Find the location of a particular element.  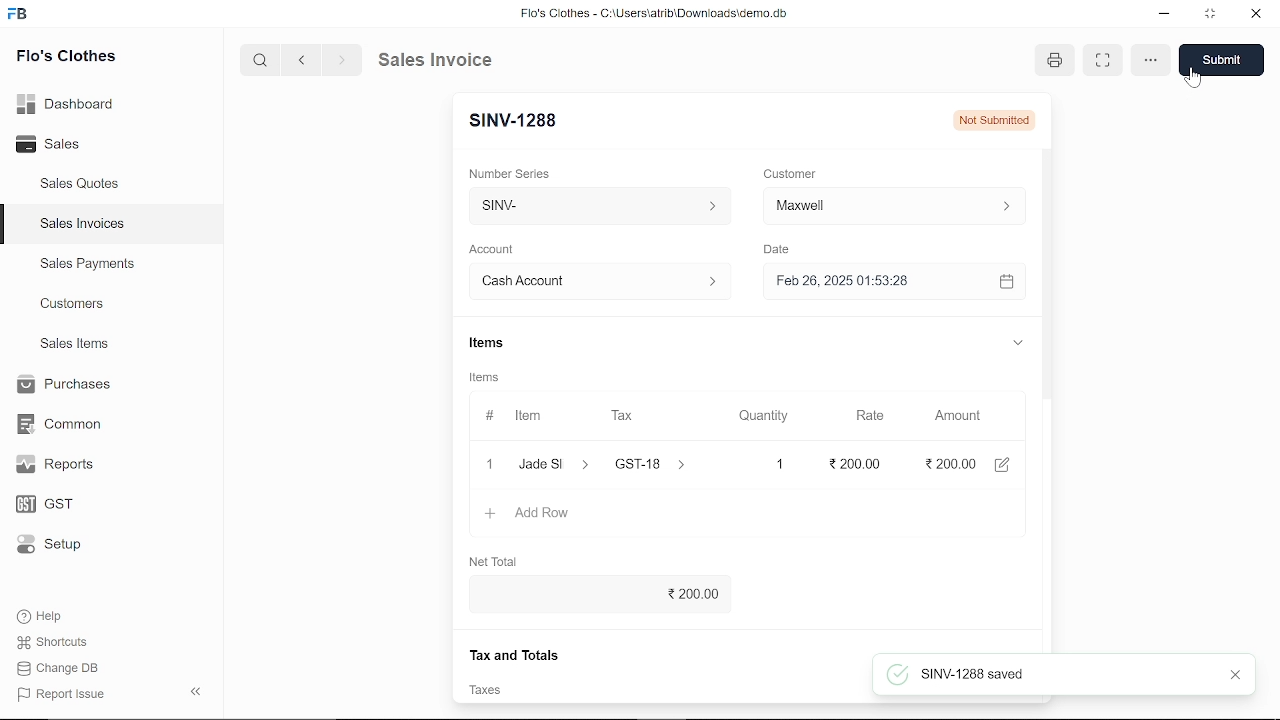

Reports. is located at coordinates (63, 464).